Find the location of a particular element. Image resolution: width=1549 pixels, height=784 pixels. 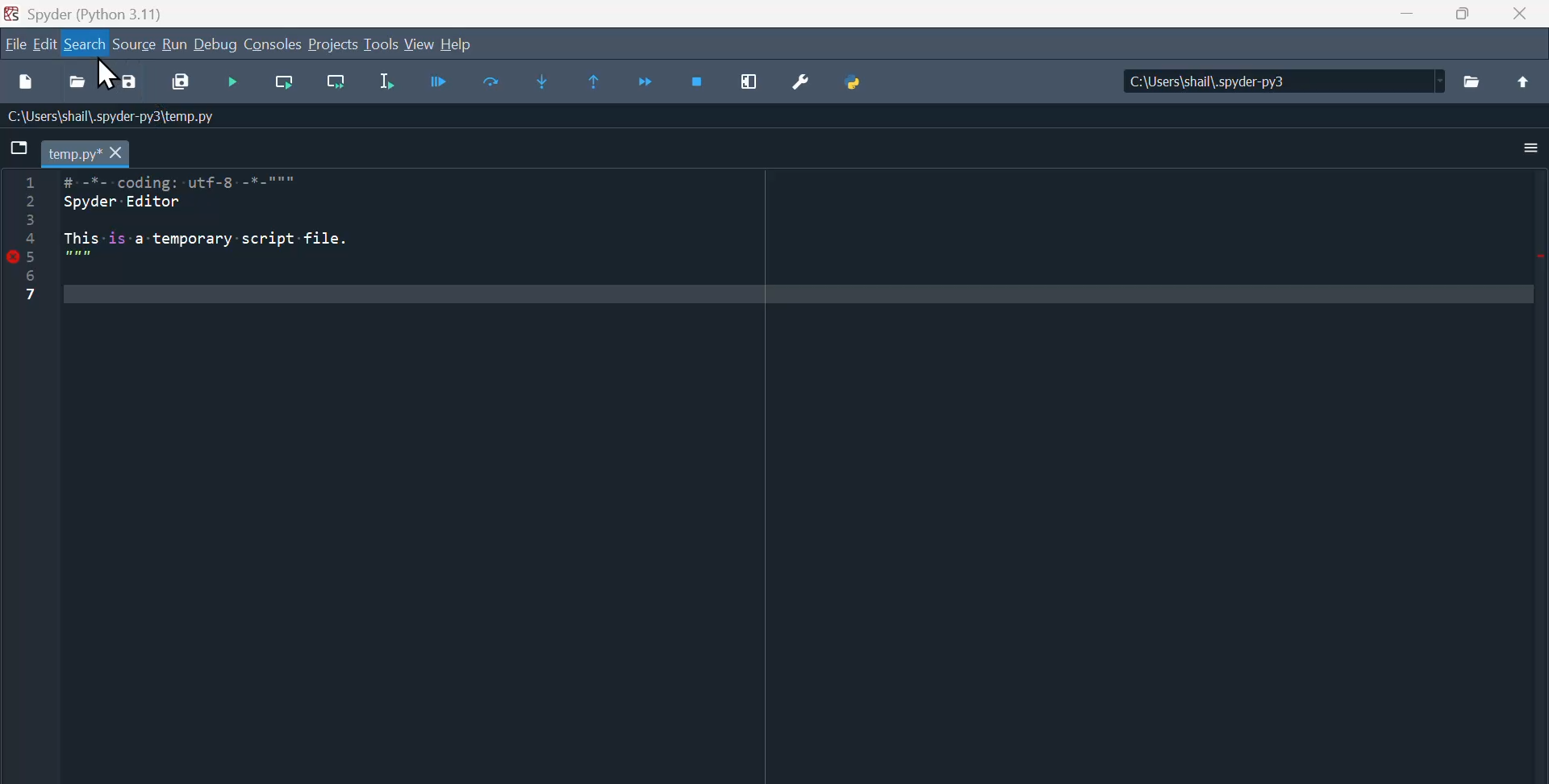

Directory is located at coordinates (1280, 80).